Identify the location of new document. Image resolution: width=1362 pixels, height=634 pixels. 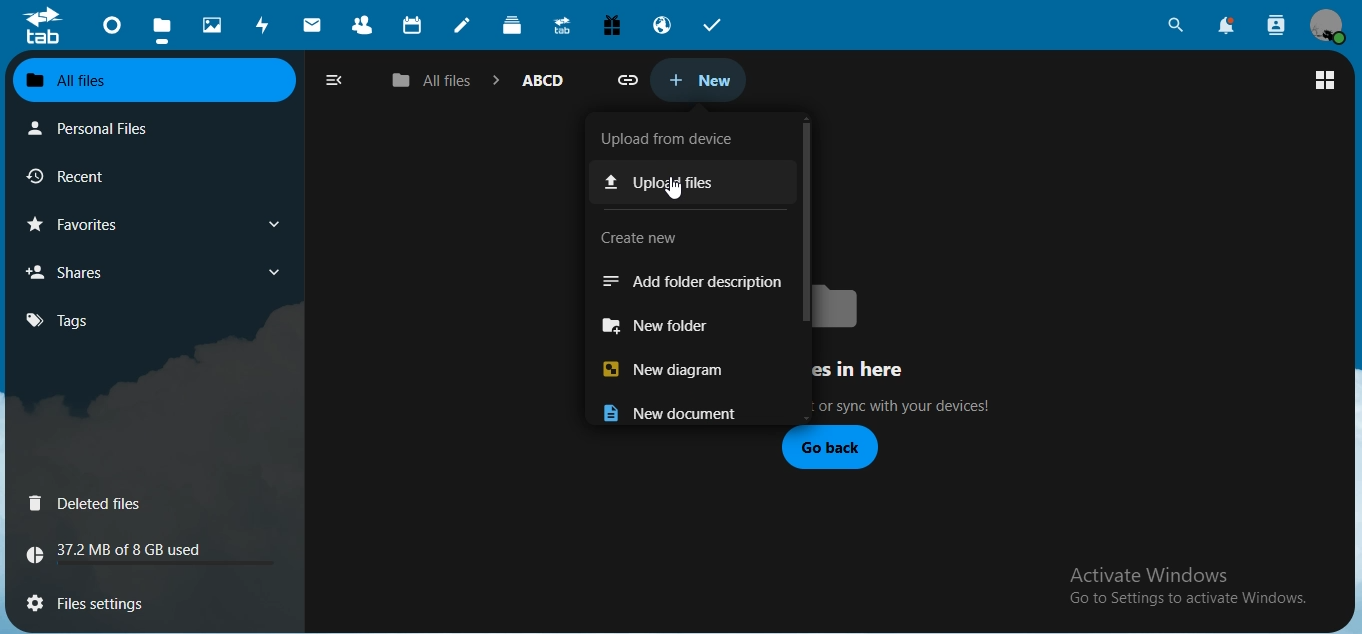
(675, 411).